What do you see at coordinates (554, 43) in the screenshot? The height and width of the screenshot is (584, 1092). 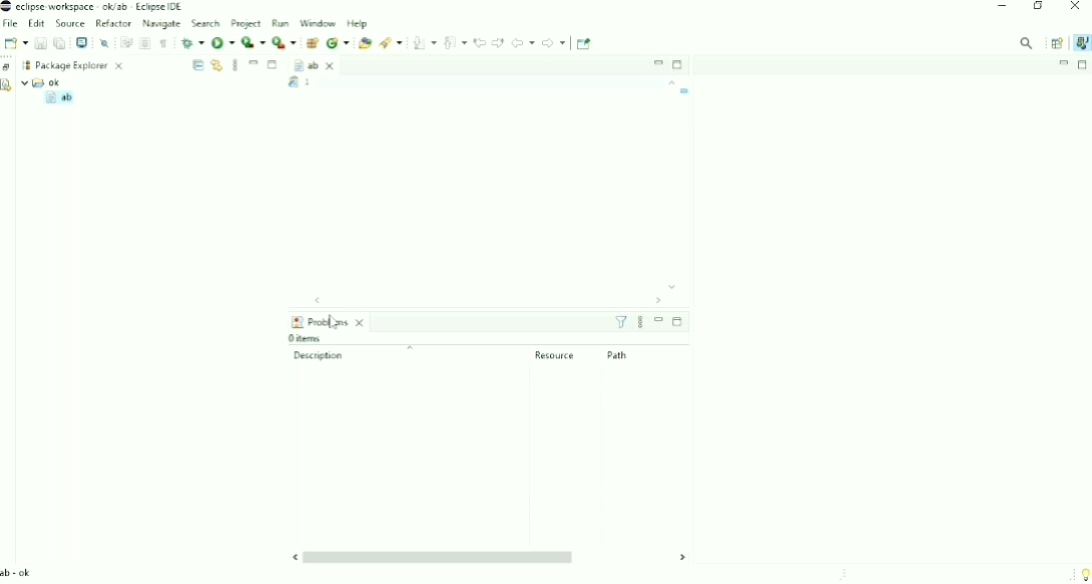 I see `Forward` at bounding box center [554, 43].